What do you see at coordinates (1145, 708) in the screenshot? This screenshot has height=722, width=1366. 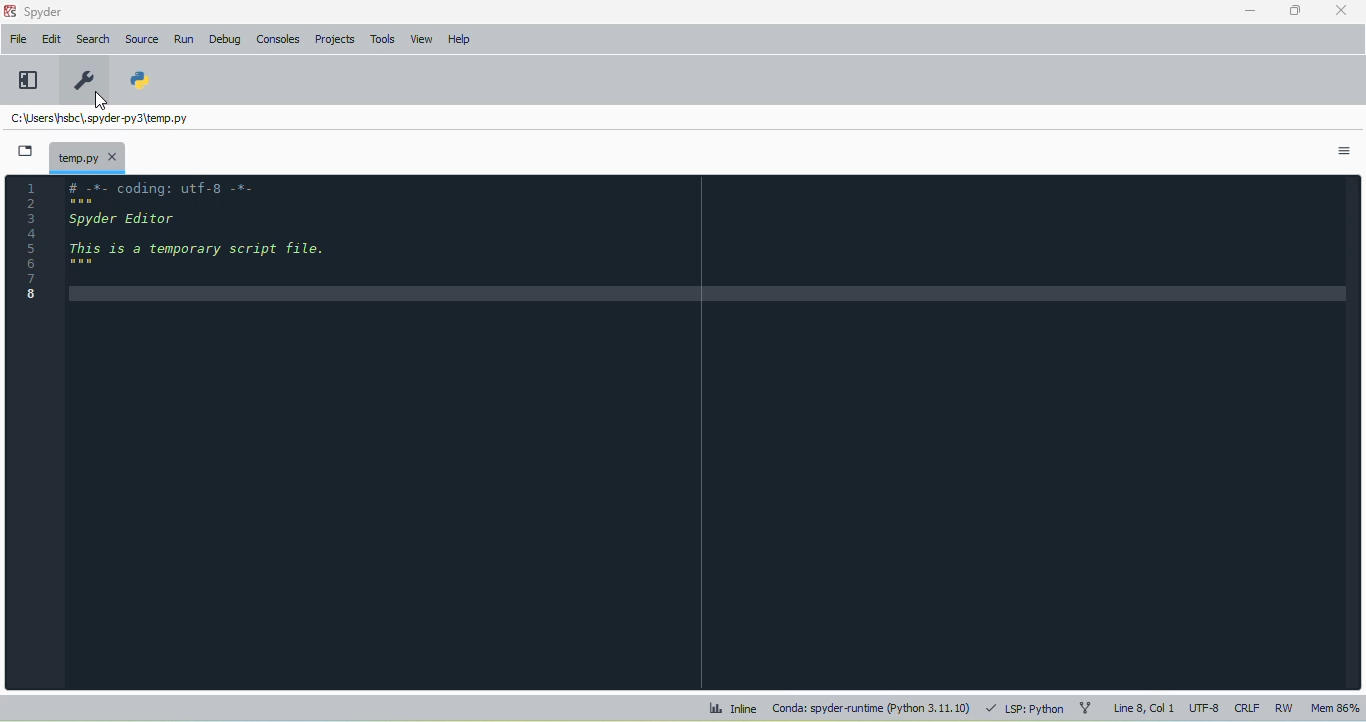 I see `line 8, col 1` at bounding box center [1145, 708].